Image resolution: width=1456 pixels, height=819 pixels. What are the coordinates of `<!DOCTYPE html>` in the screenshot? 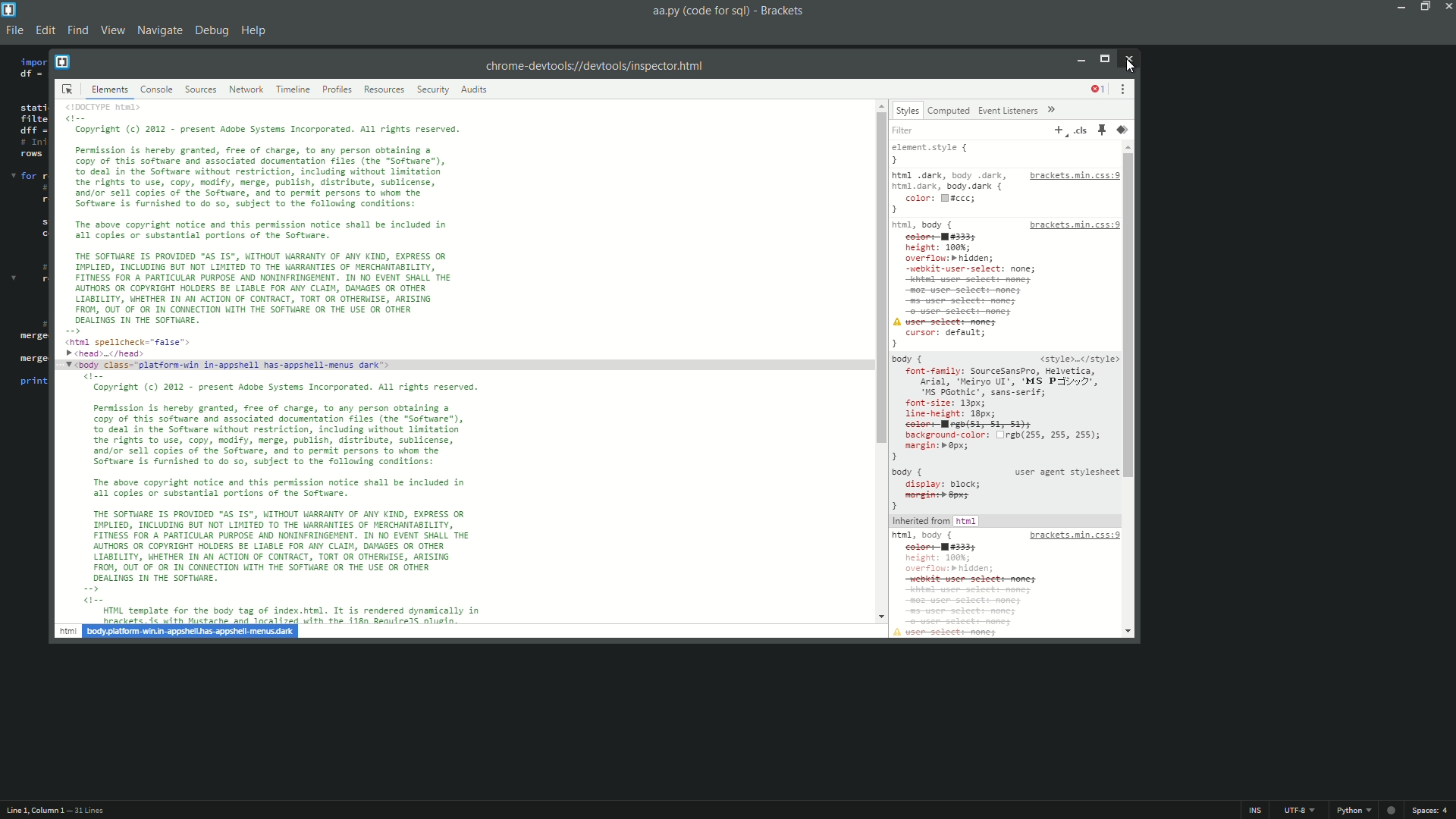 It's located at (114, 106).